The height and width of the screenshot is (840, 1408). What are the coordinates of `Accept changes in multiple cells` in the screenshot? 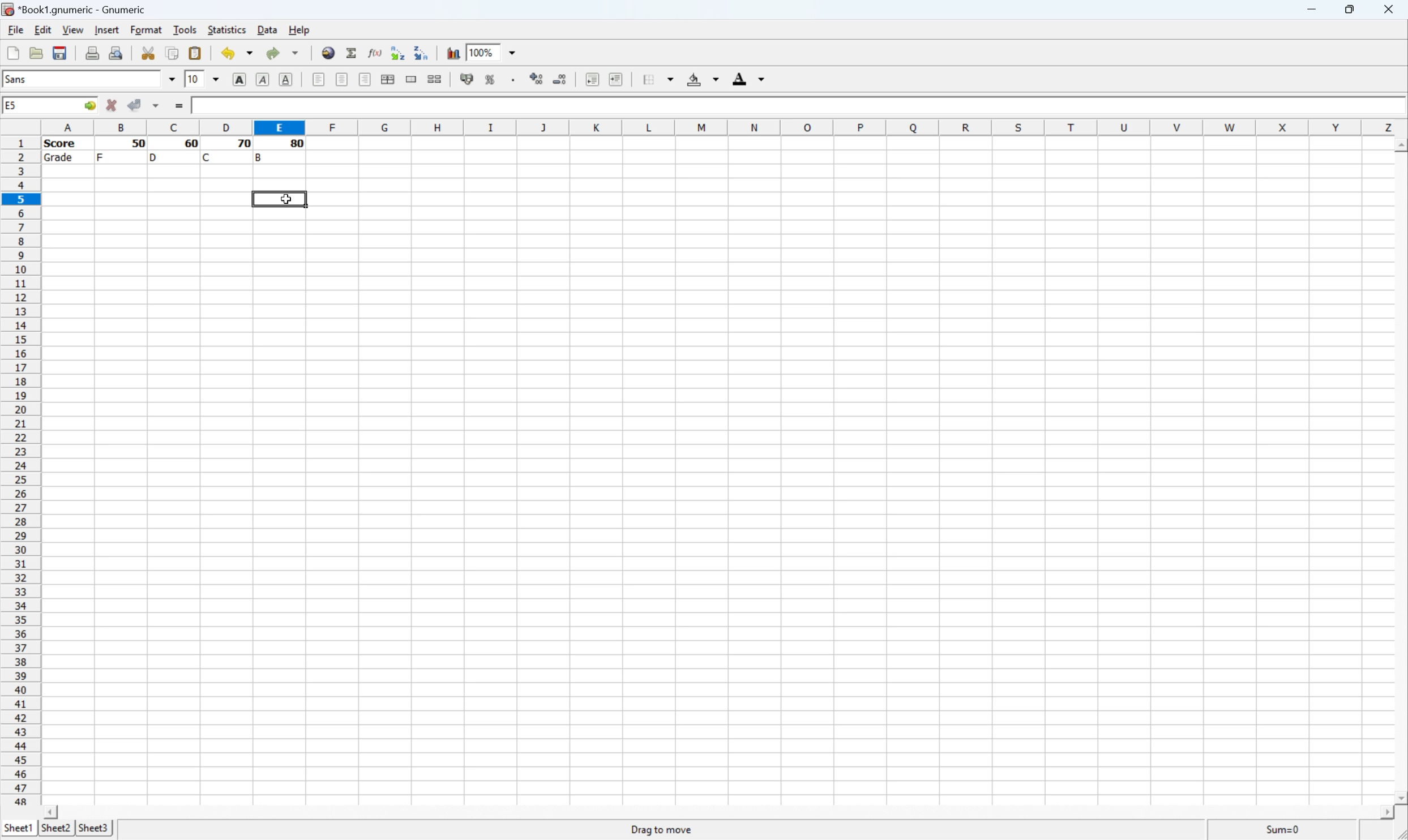 It's located at (159, 108).